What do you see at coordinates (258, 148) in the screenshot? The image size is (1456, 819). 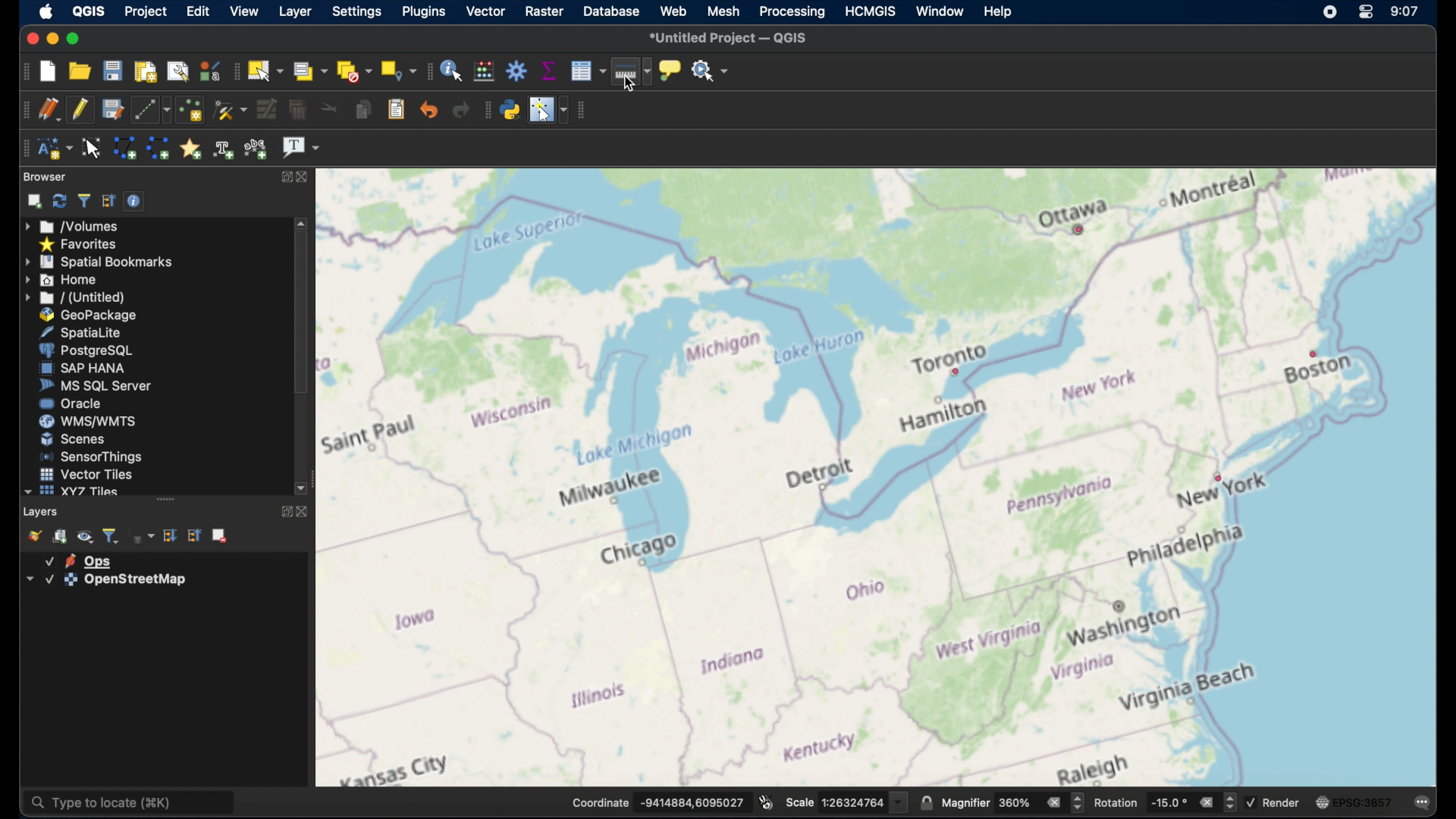 I see `text annotation along line` at bounding box center [258, 148].